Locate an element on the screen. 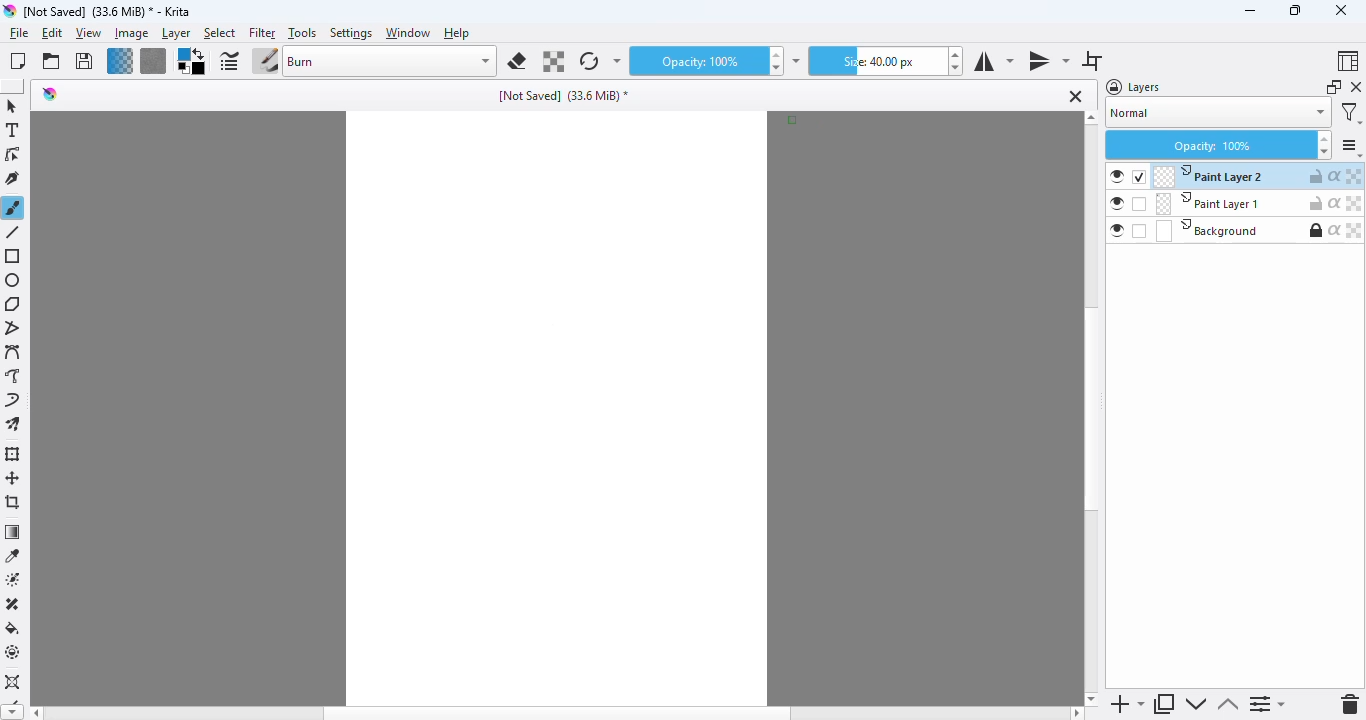 The width and height of the screenshot is (1366, 720). preserve alpha is located at coordinates (554, 62).